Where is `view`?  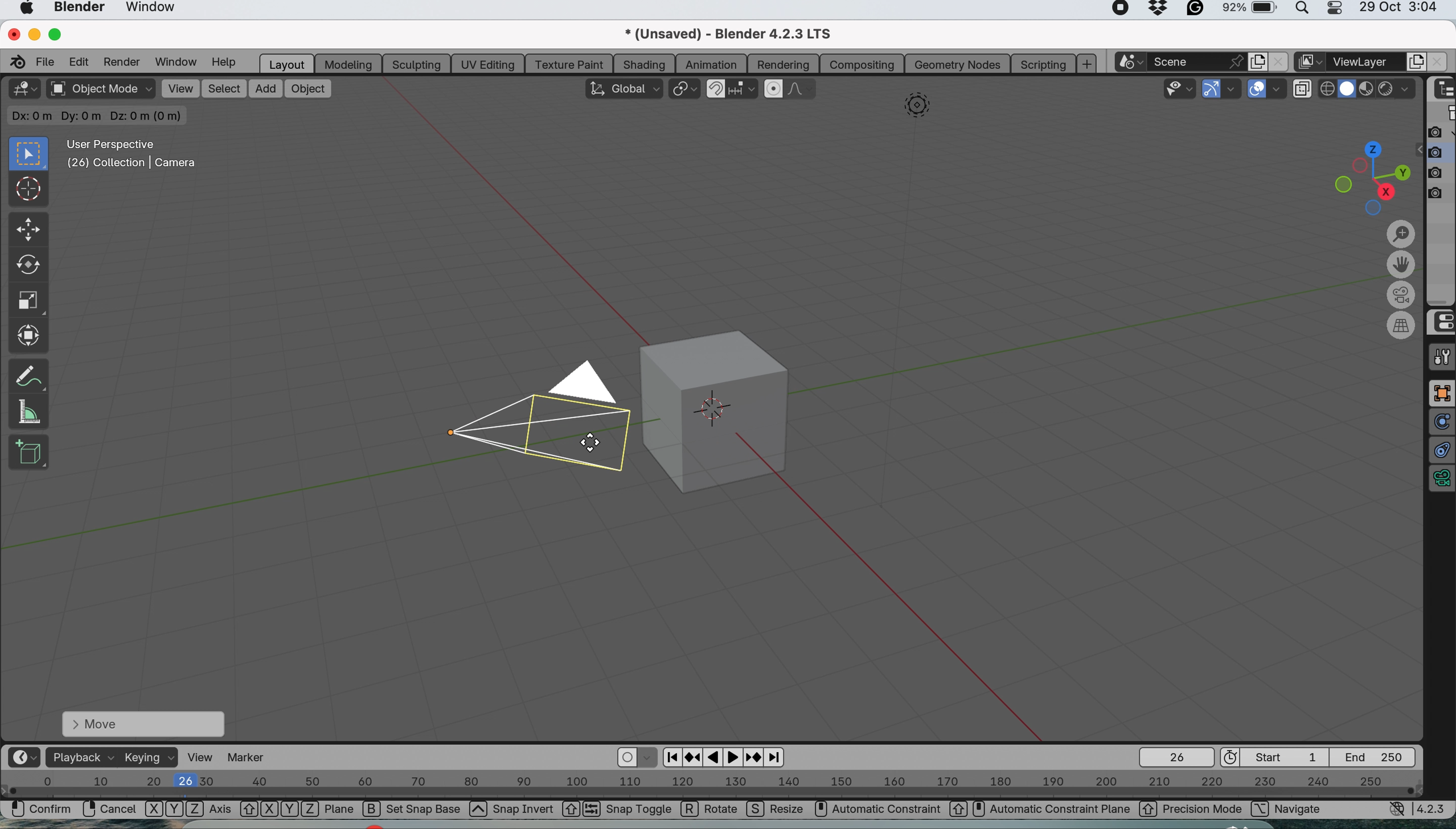
view is located at coordinates (202, 757).